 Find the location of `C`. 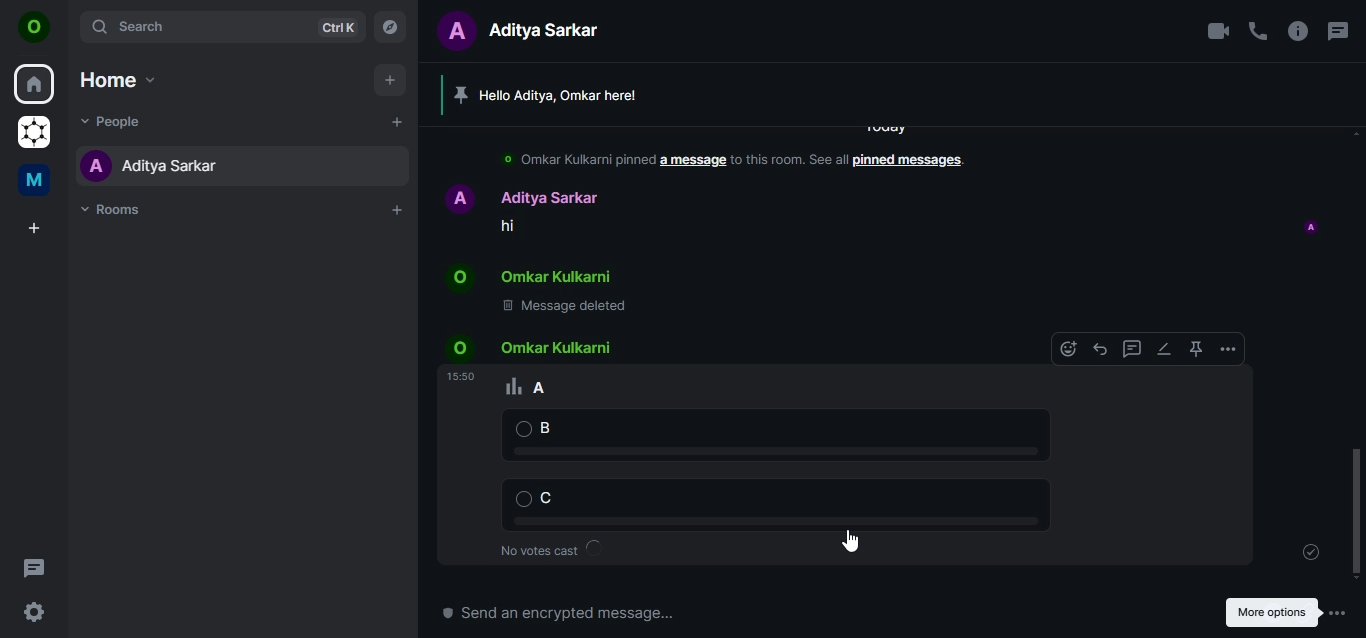

C is located at coordinates (763, 501).